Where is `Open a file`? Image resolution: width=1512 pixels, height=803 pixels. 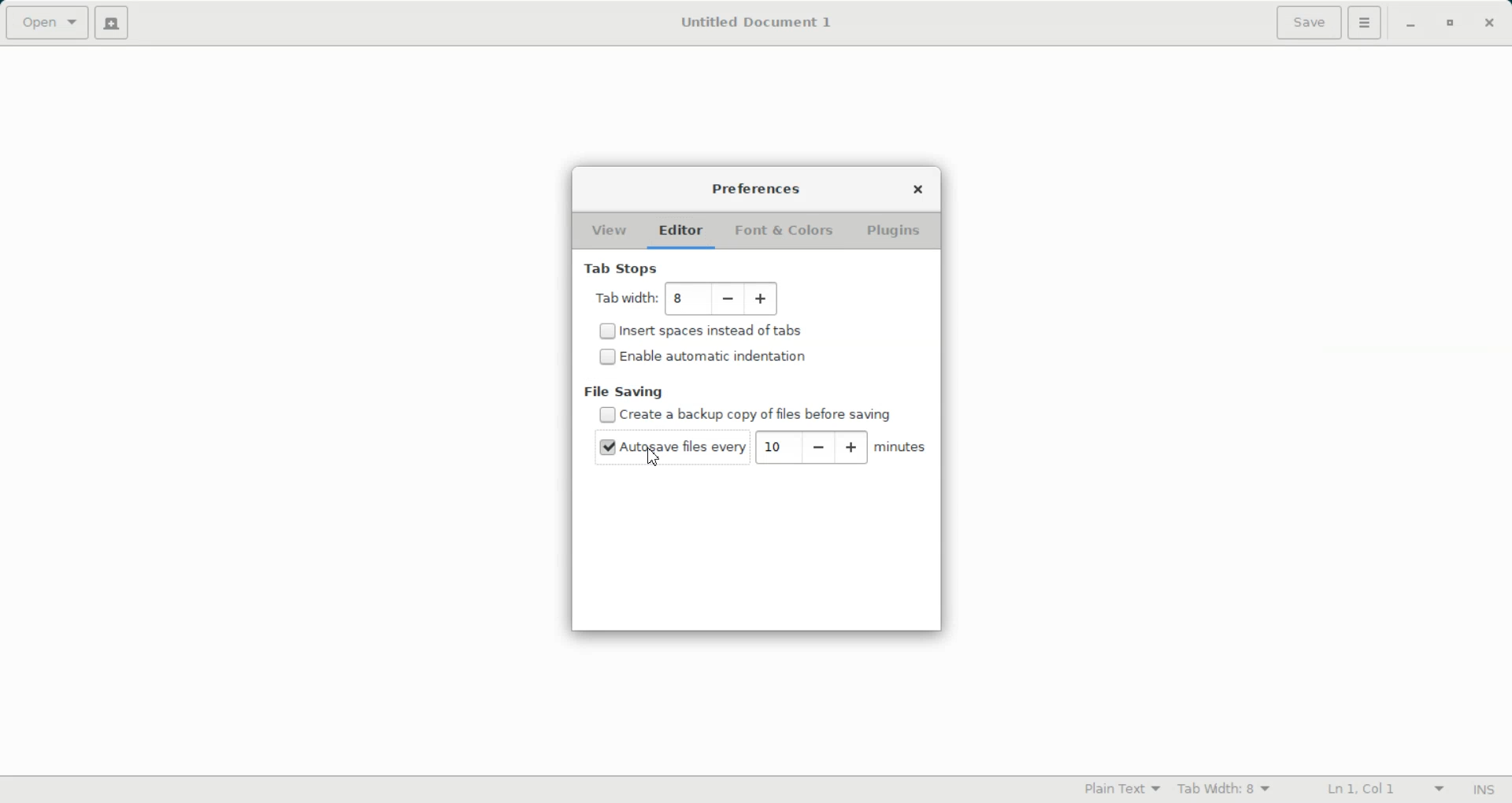
Open a file is located at coordinates (47, 23).